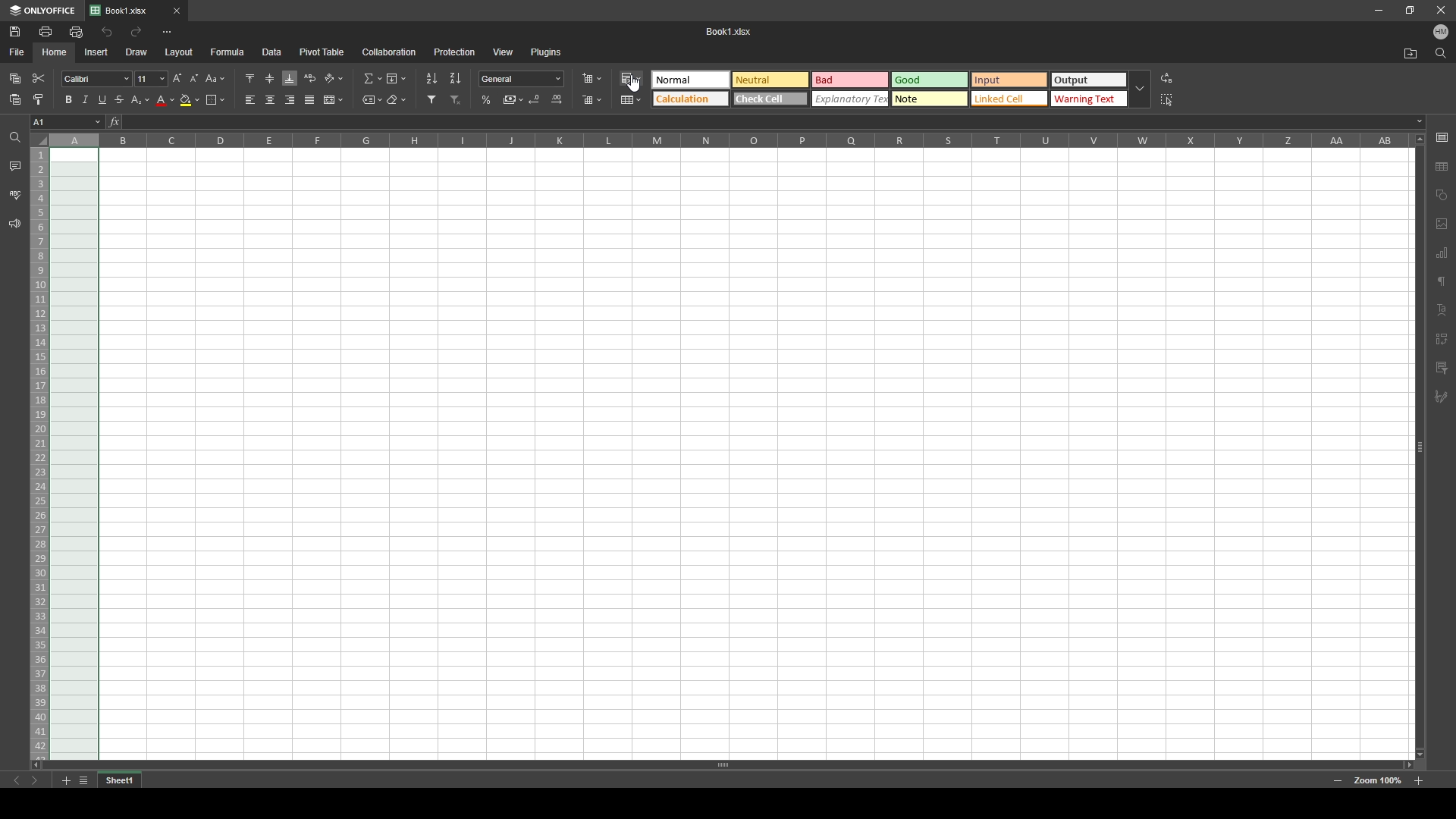  Describe the element at coordinates (1442, 195) in the screenshot. I see `shapes` at that location.